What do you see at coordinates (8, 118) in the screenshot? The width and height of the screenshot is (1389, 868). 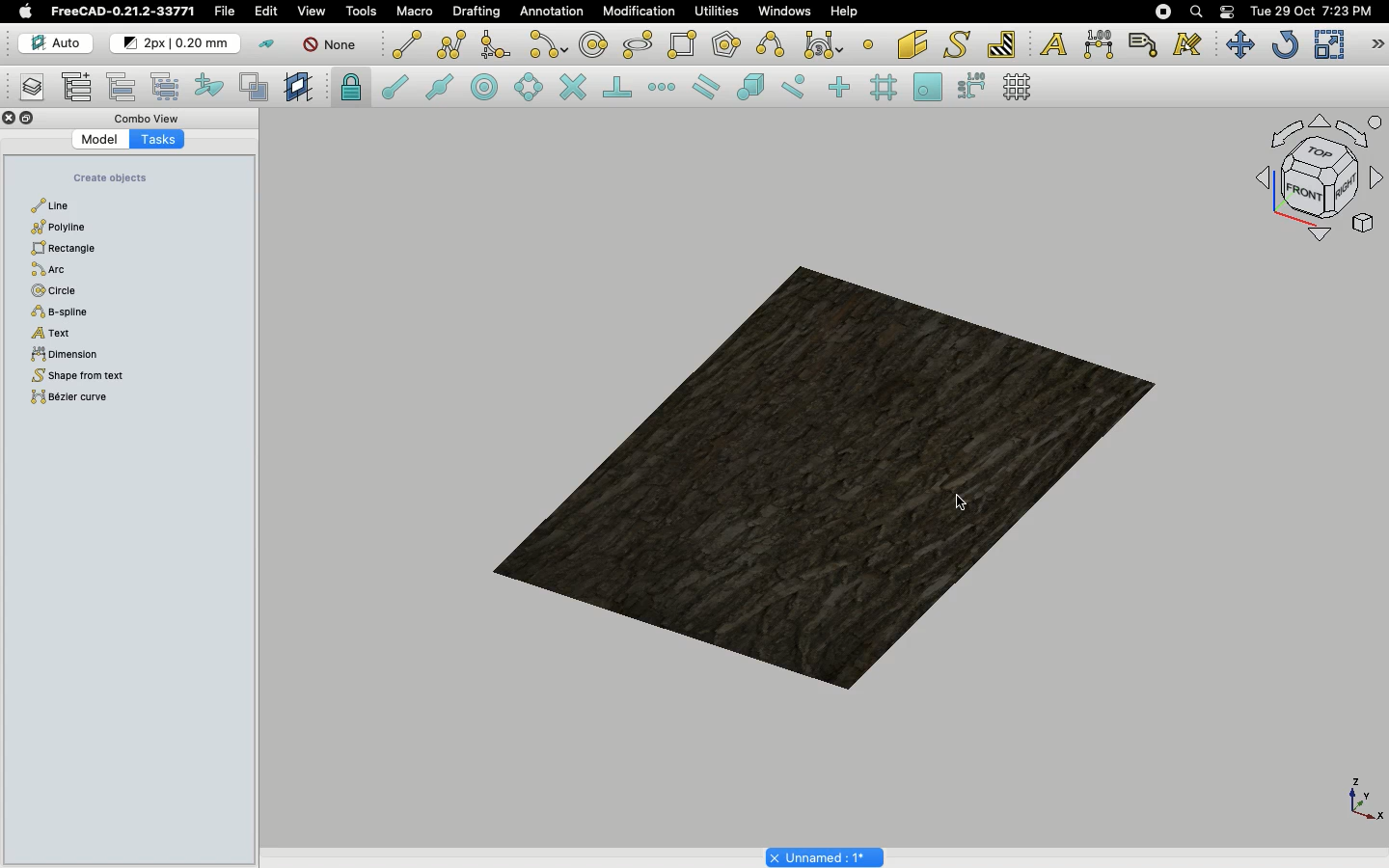 I see `Close` at bounding box center [8, 118].